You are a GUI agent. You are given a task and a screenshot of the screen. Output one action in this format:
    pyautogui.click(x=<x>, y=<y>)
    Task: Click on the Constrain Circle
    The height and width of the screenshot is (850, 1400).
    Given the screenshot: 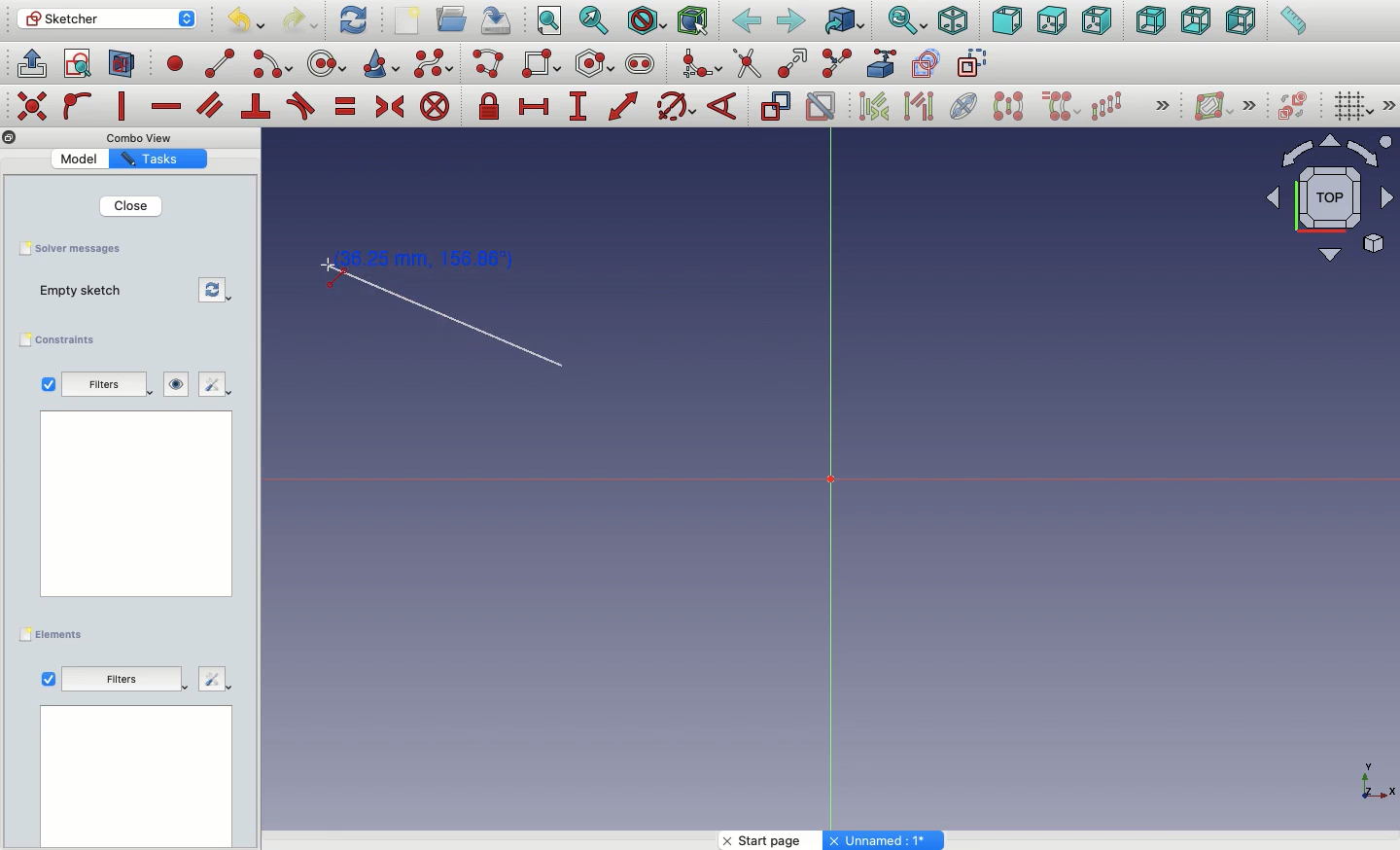 What is the action you would take?
    pyautogui.click(x=677, y=106)
    